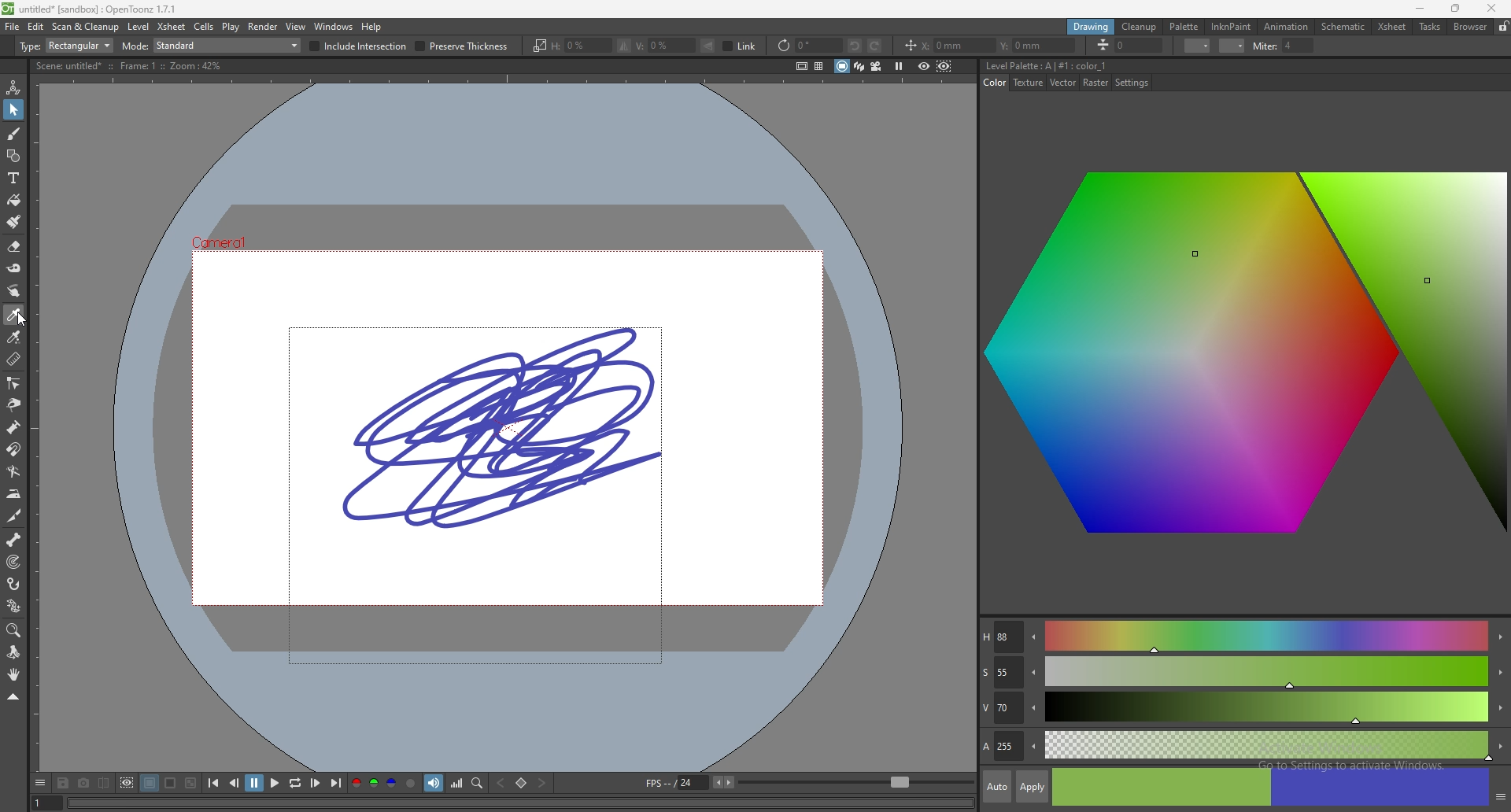  What do you see at coordinates (233, 238) in the screenshot?
I see `camera1` at bounding box center [233, 238].